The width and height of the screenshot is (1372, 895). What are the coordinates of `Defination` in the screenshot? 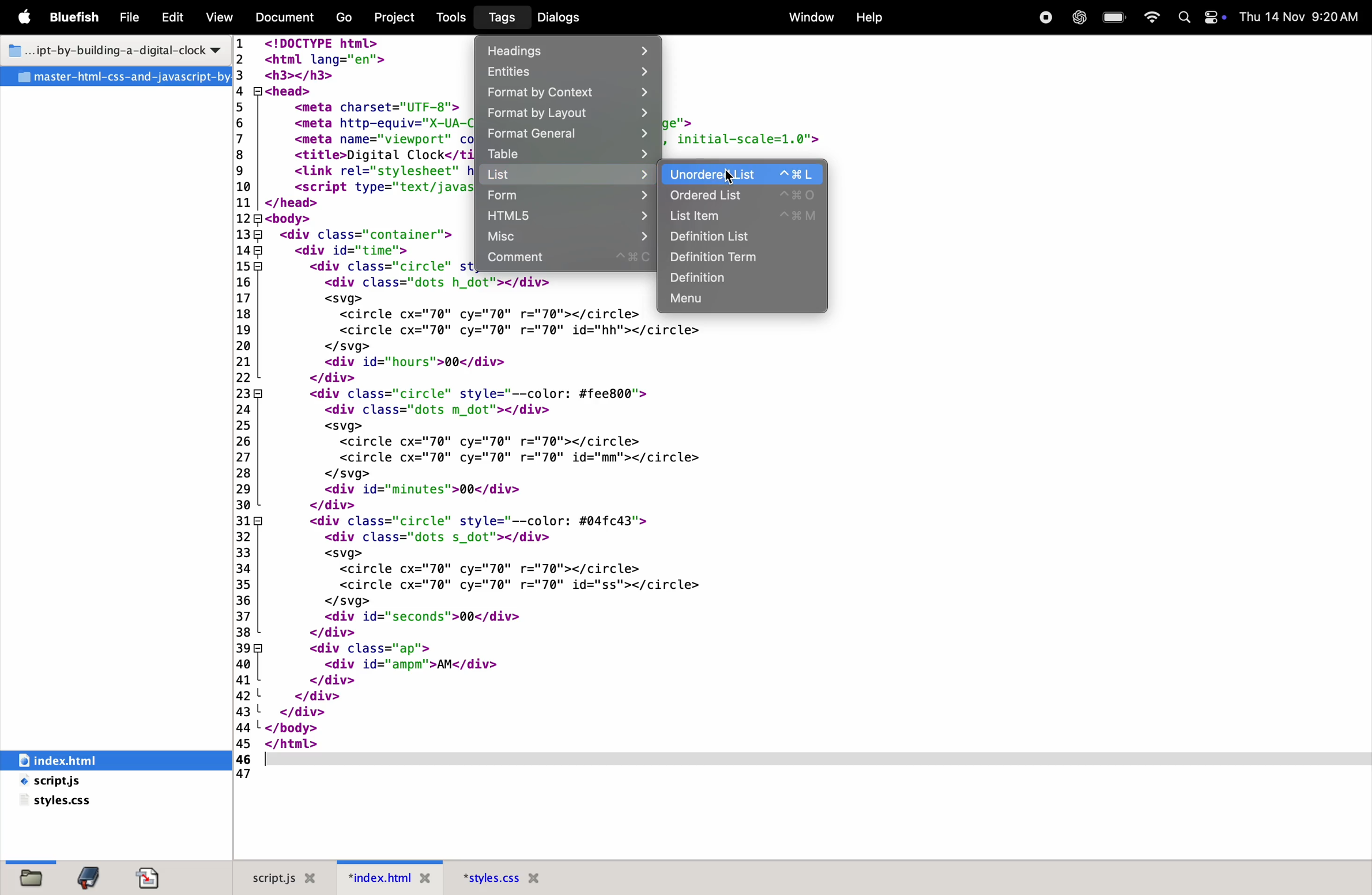 It's located at (743, 238).